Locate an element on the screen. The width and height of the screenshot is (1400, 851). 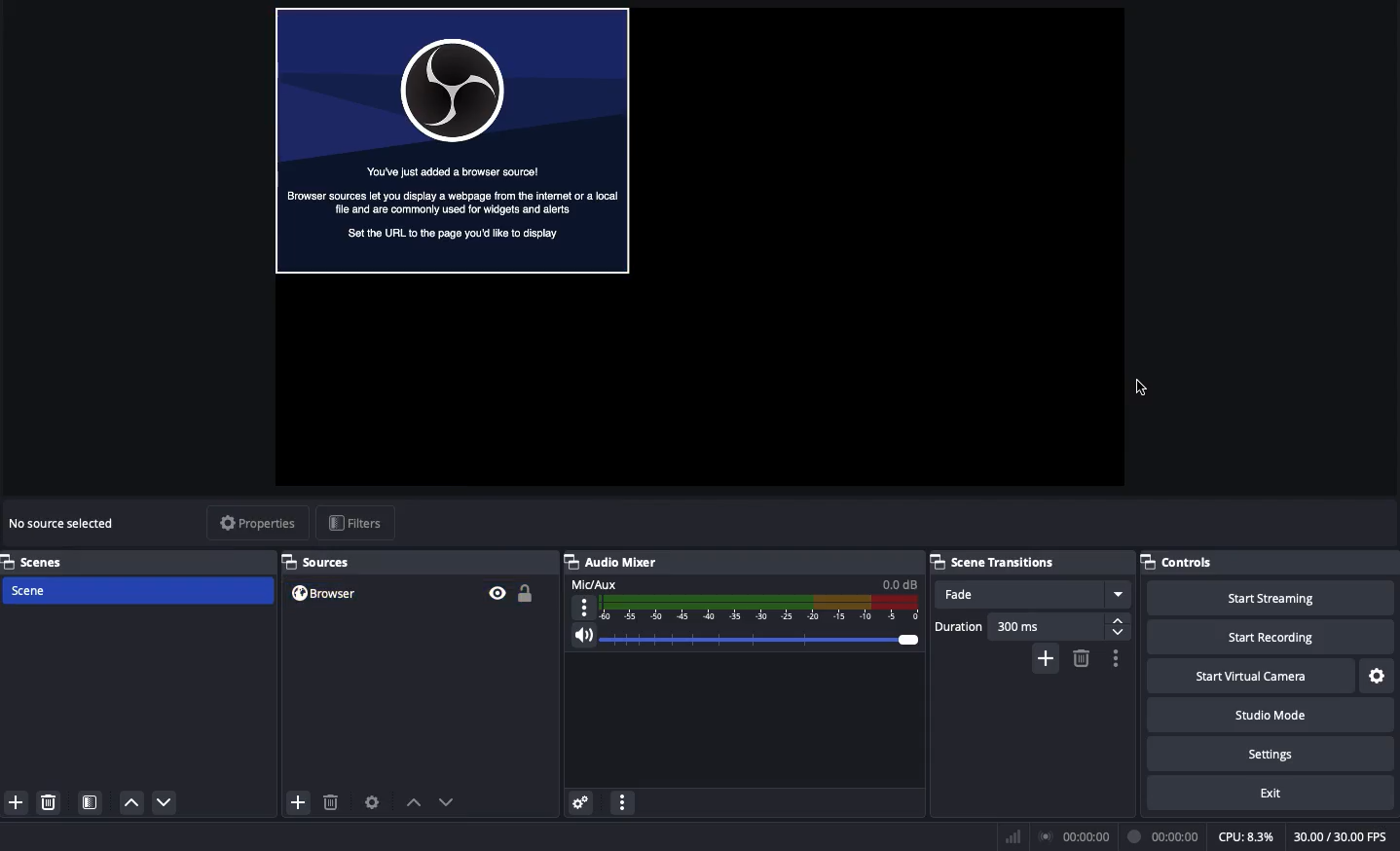
Sources is located at coordinates (323, 562).